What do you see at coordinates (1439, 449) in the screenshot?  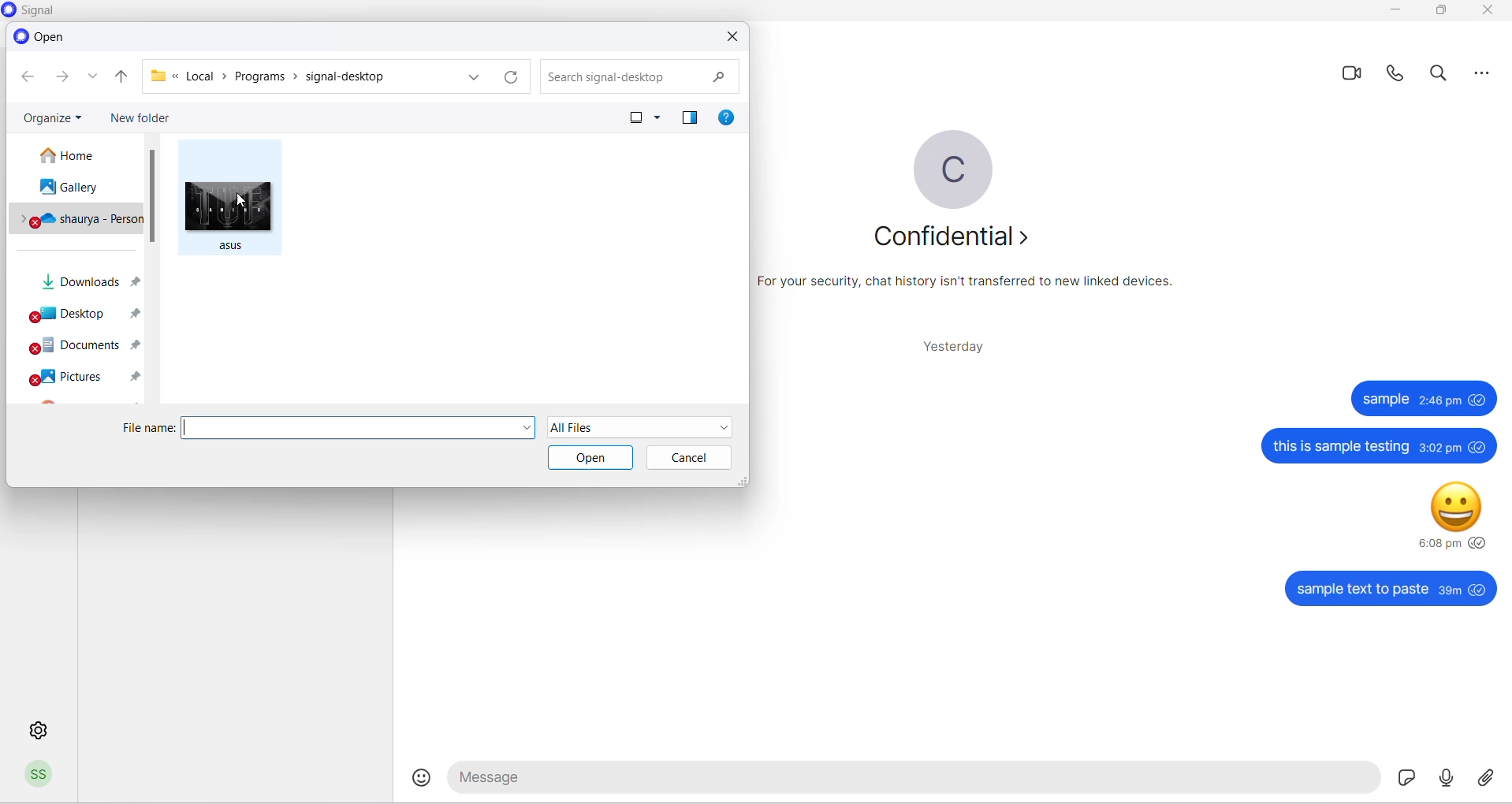 I see `3:02 pm` at bounding box center [1439, 449].